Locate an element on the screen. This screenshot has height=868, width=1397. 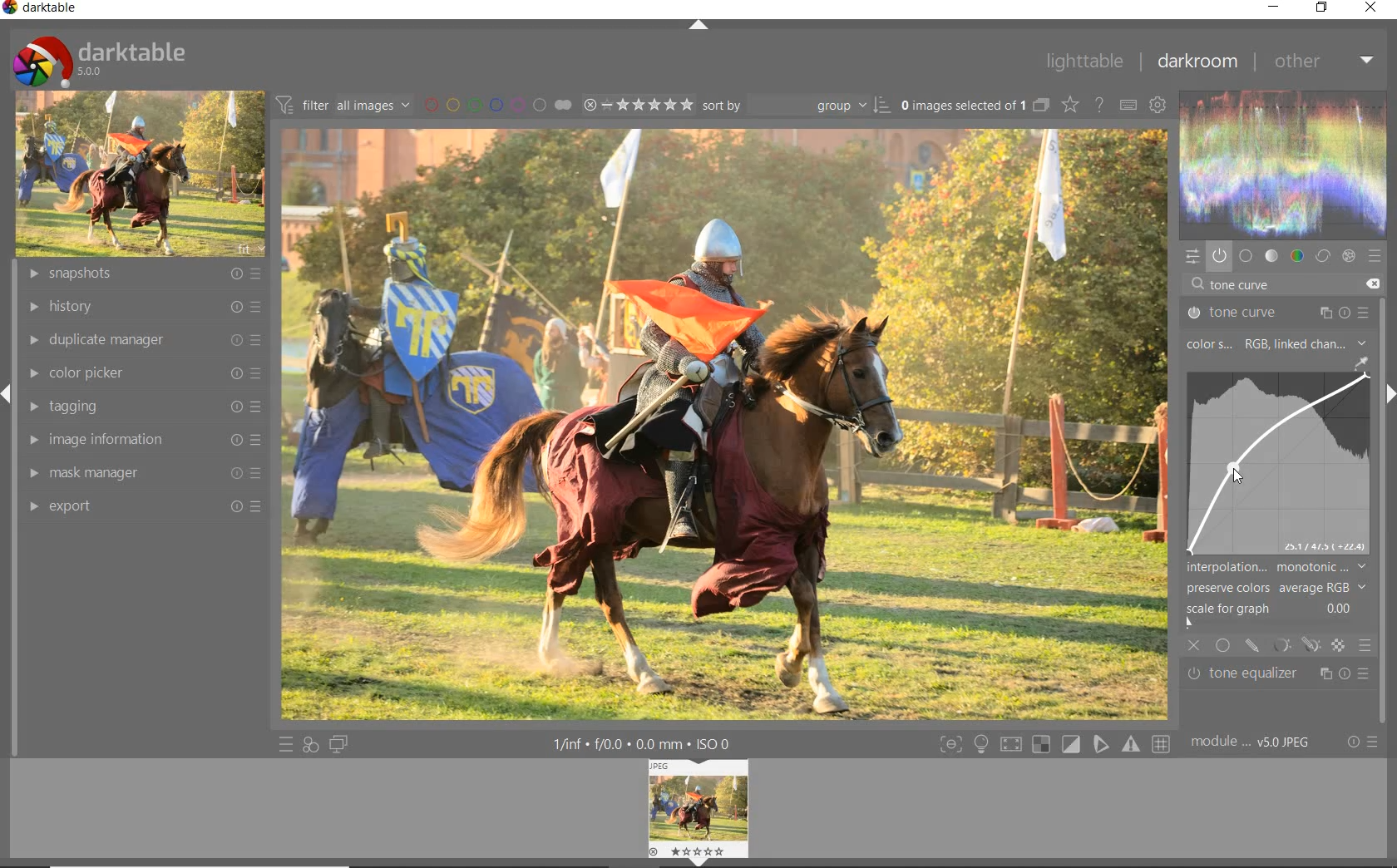
input value is located at coordinates (1243, 286).